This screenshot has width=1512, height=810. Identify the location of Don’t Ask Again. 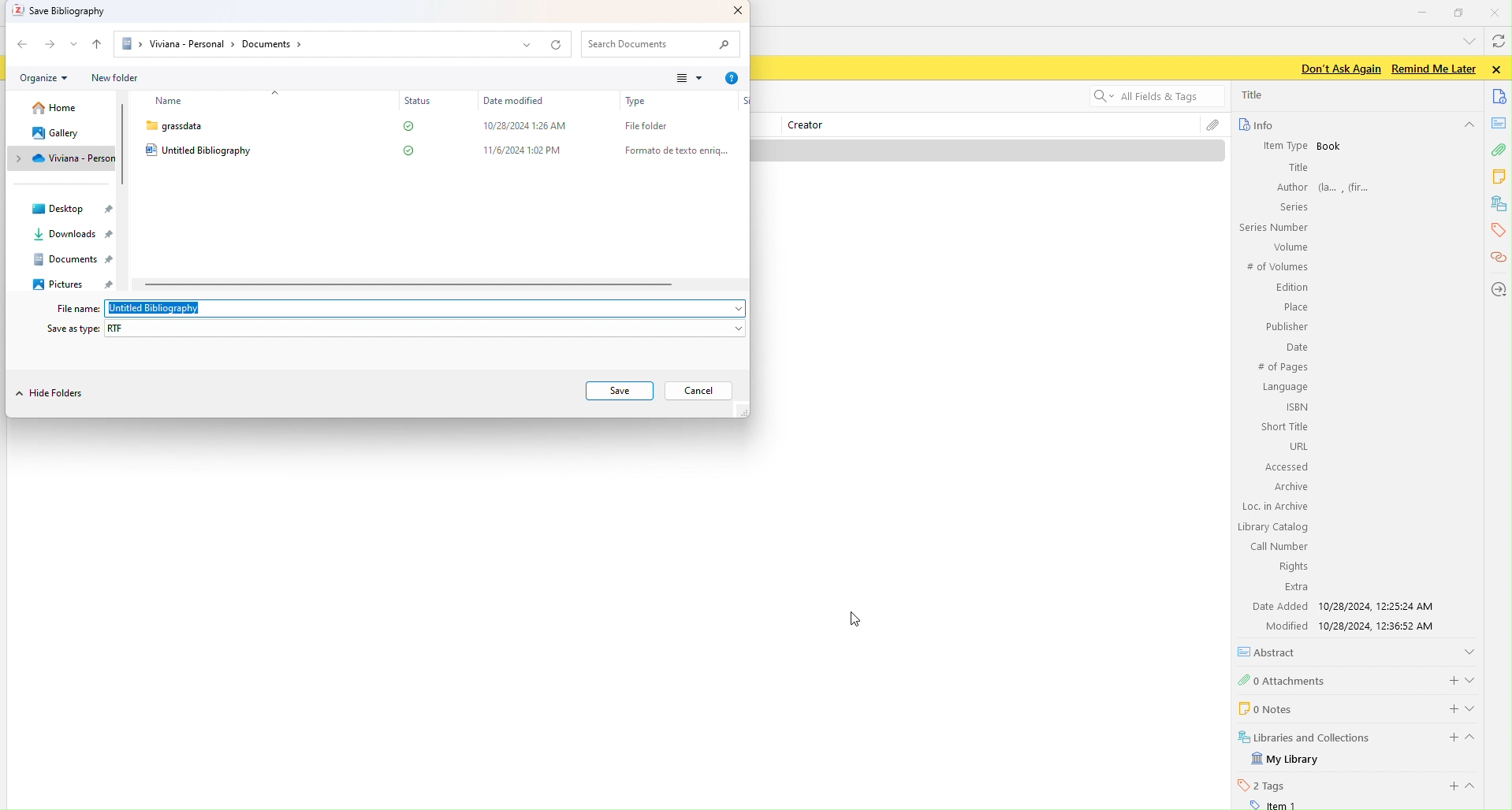
(1336, 69).